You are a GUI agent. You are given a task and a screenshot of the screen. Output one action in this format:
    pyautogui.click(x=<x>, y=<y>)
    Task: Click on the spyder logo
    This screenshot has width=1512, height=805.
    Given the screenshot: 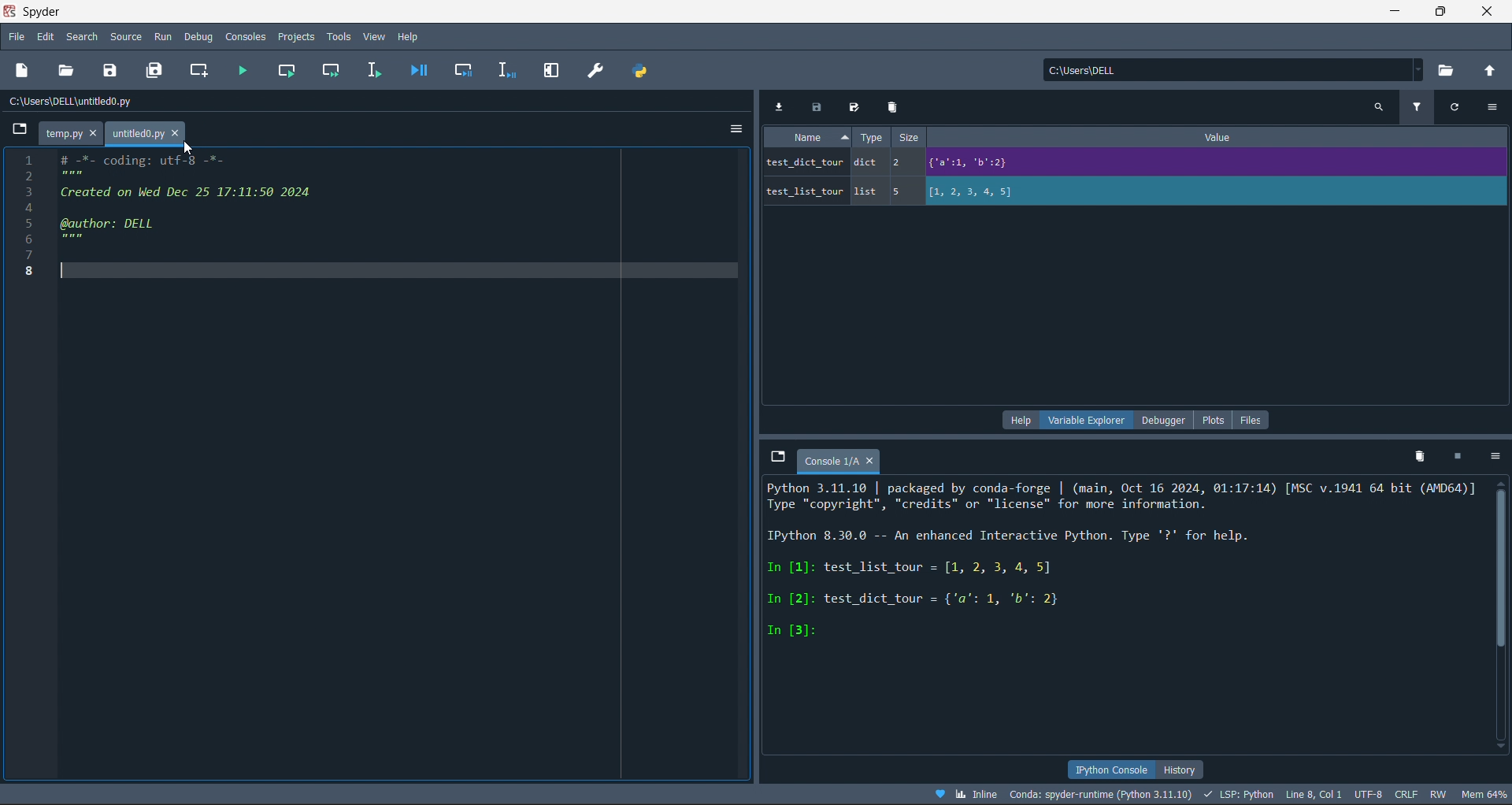 What is the action you would take?
    pyautogui.click(x=9, y=12)
    